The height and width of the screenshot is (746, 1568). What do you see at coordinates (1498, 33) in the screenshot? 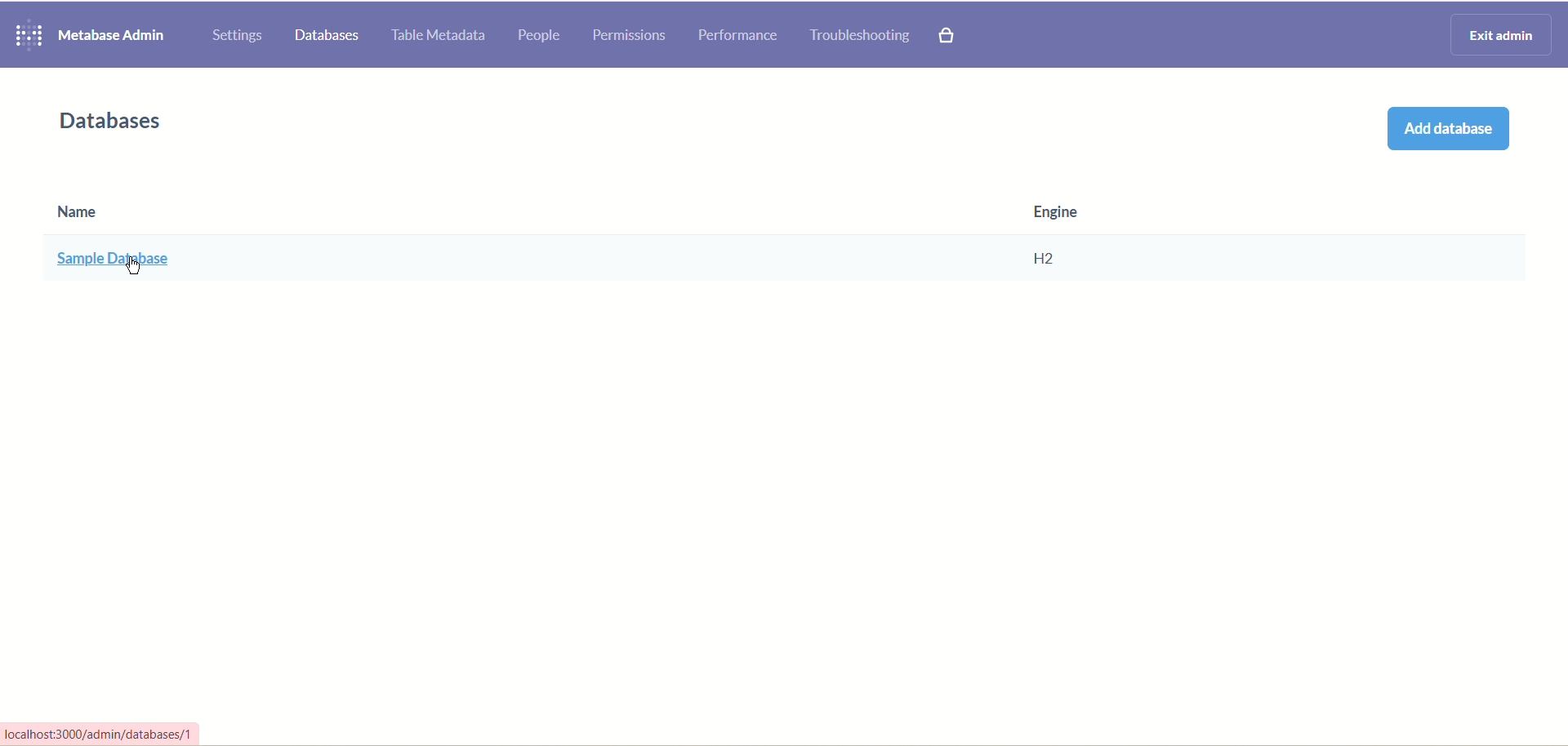
I see `exit admin` at bounding box center [1498, 33].